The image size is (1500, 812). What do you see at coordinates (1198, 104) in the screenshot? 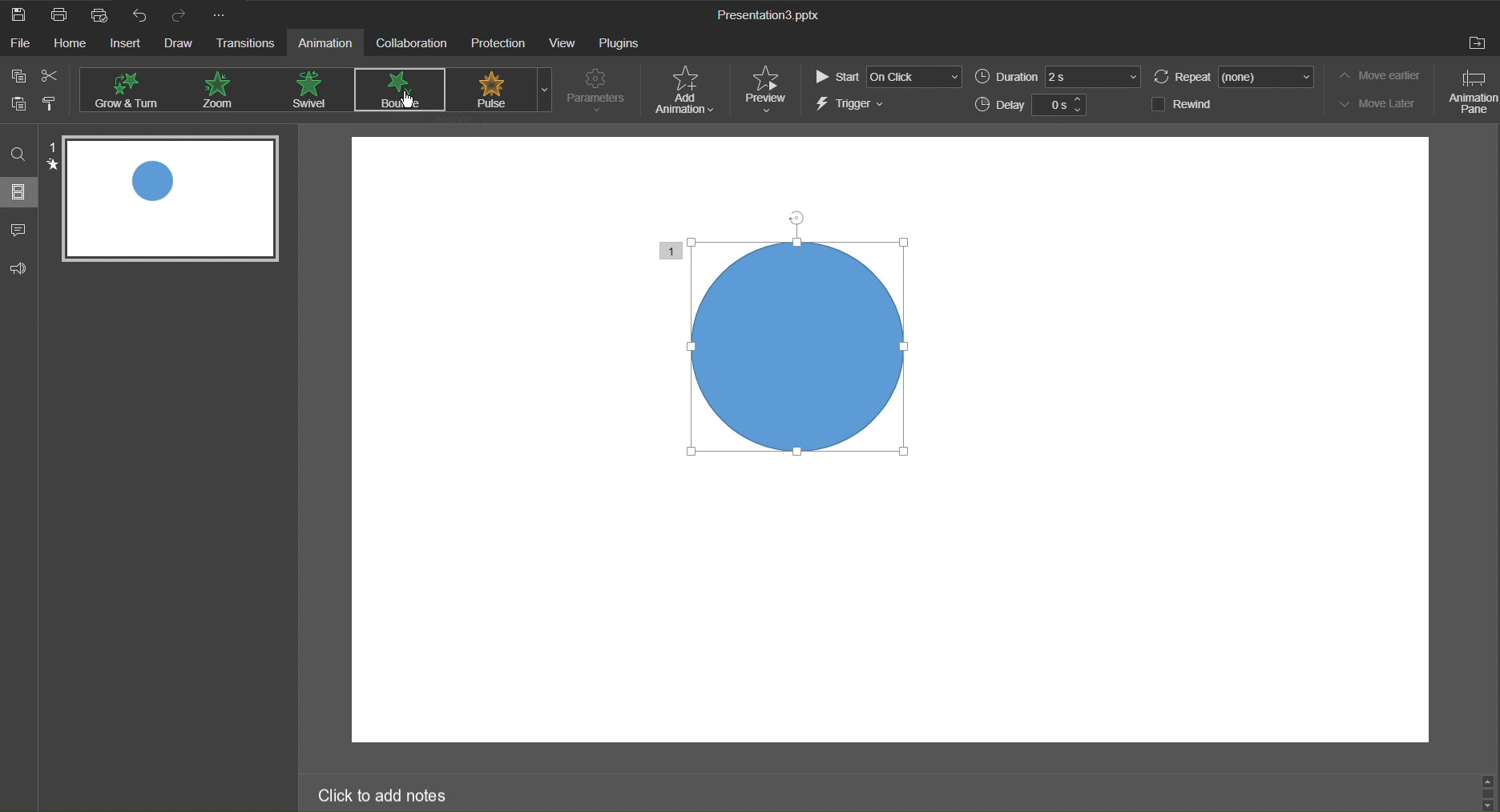
I see `Rewind` at bounding box center [1198, 104].